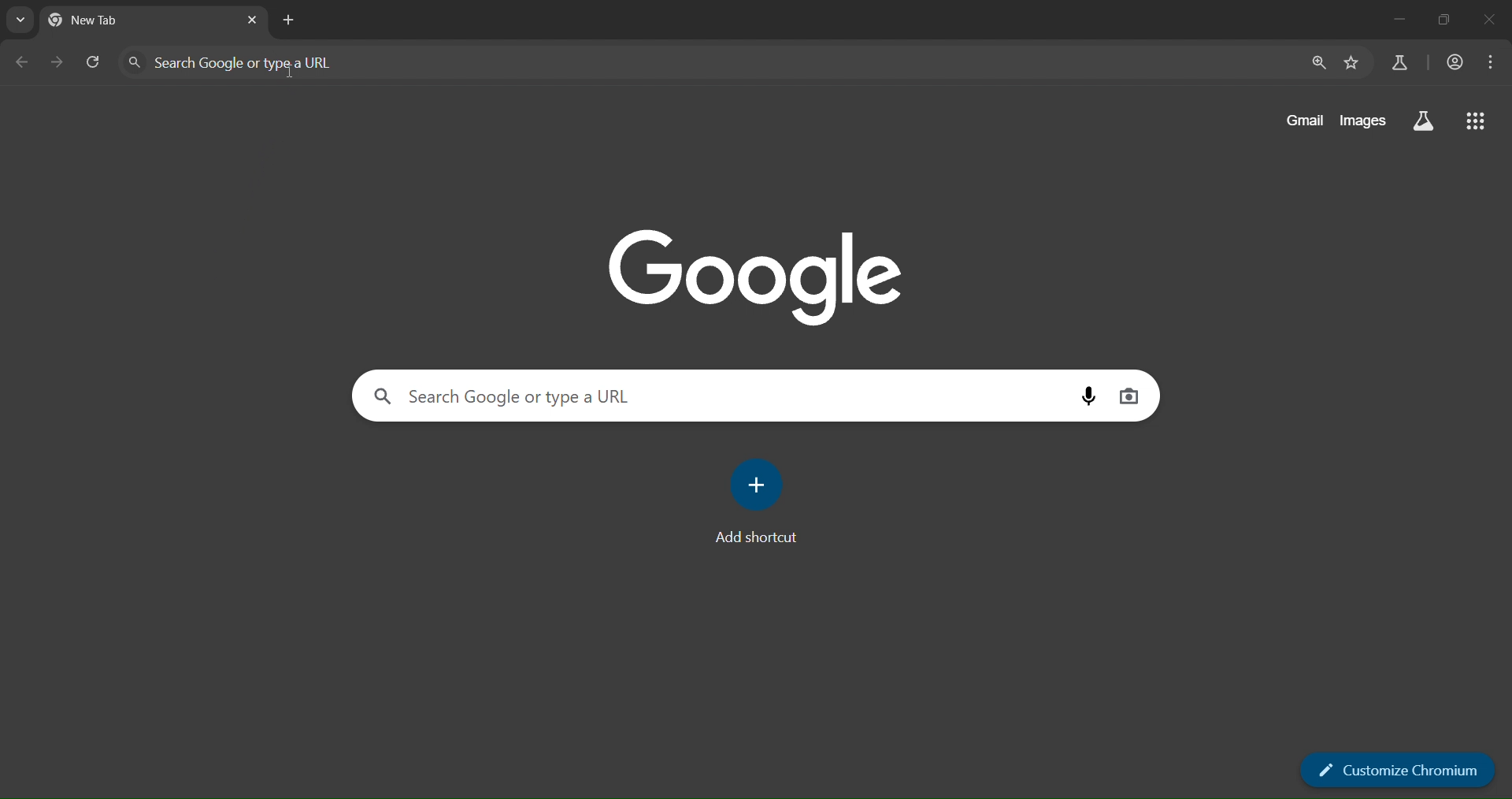 This screenshot has width=1512, height=799. What do you see at coordinates (291, 69) in the screenshot?
I see `cursor` at bounding box center [291, 69].